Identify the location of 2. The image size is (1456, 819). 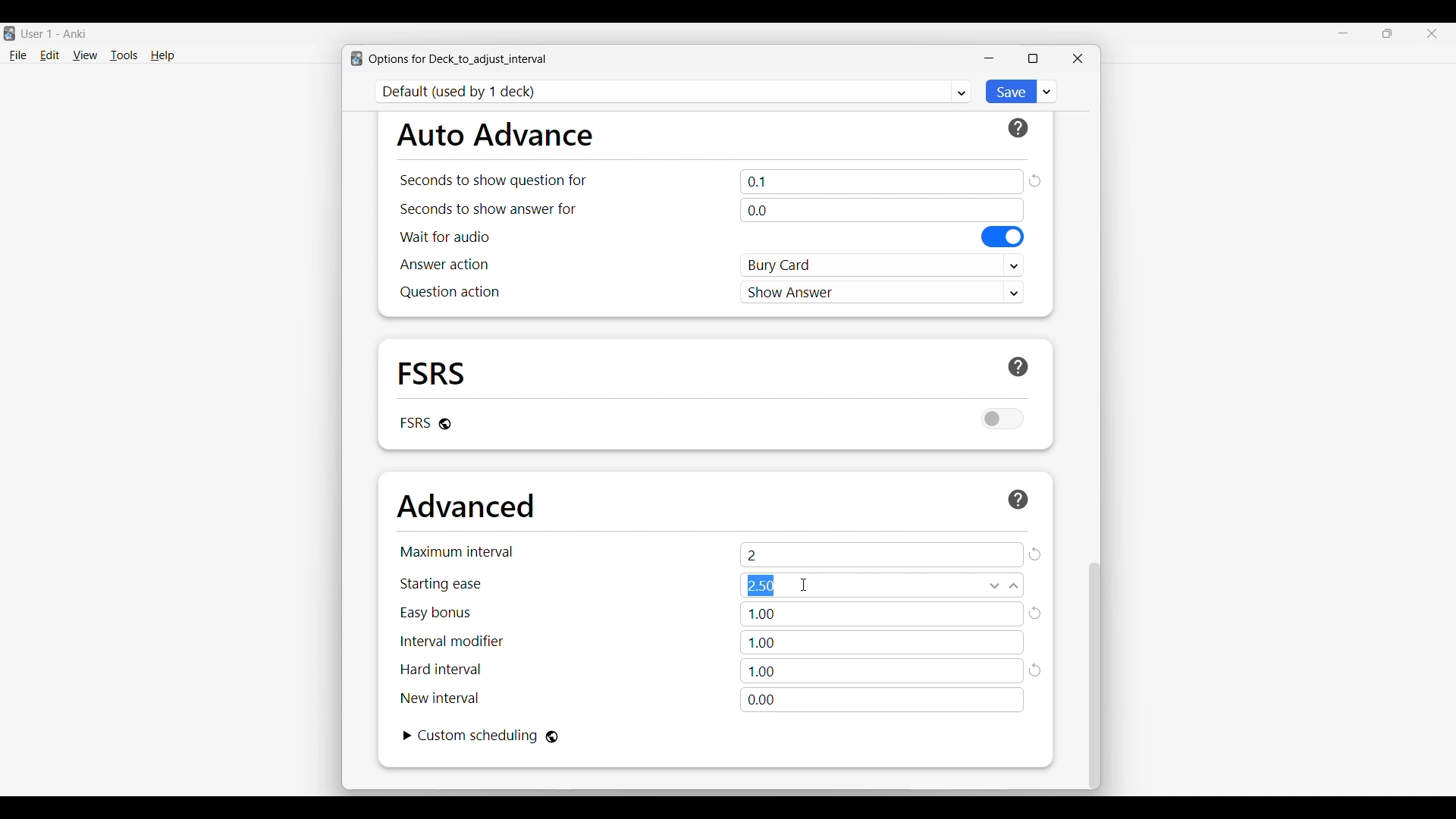
(882, 554).